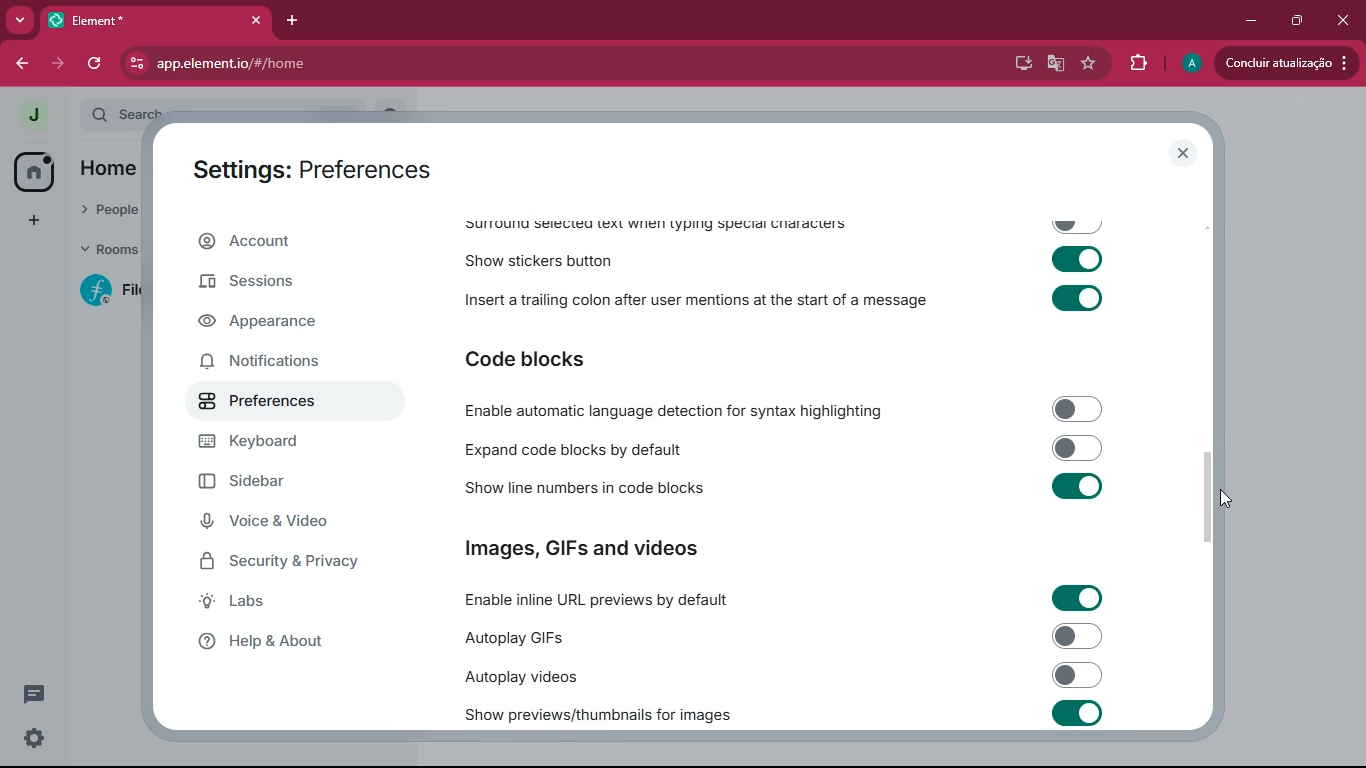 This screenshot has width=1366, height=768. I want to click on settings: preferences, so click(318, 167).